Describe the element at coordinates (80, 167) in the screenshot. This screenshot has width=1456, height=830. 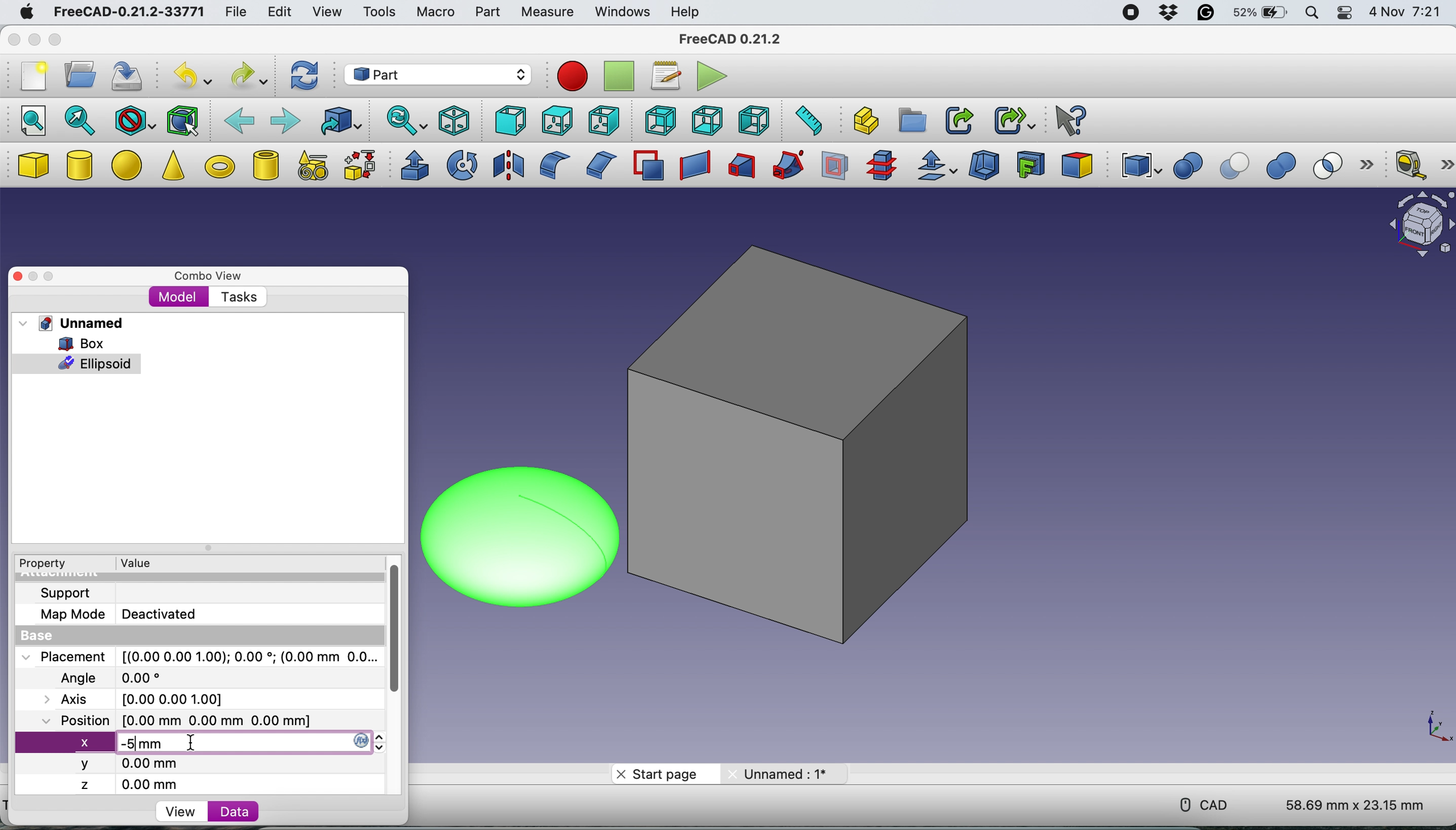
I see `cylinder` at that location.